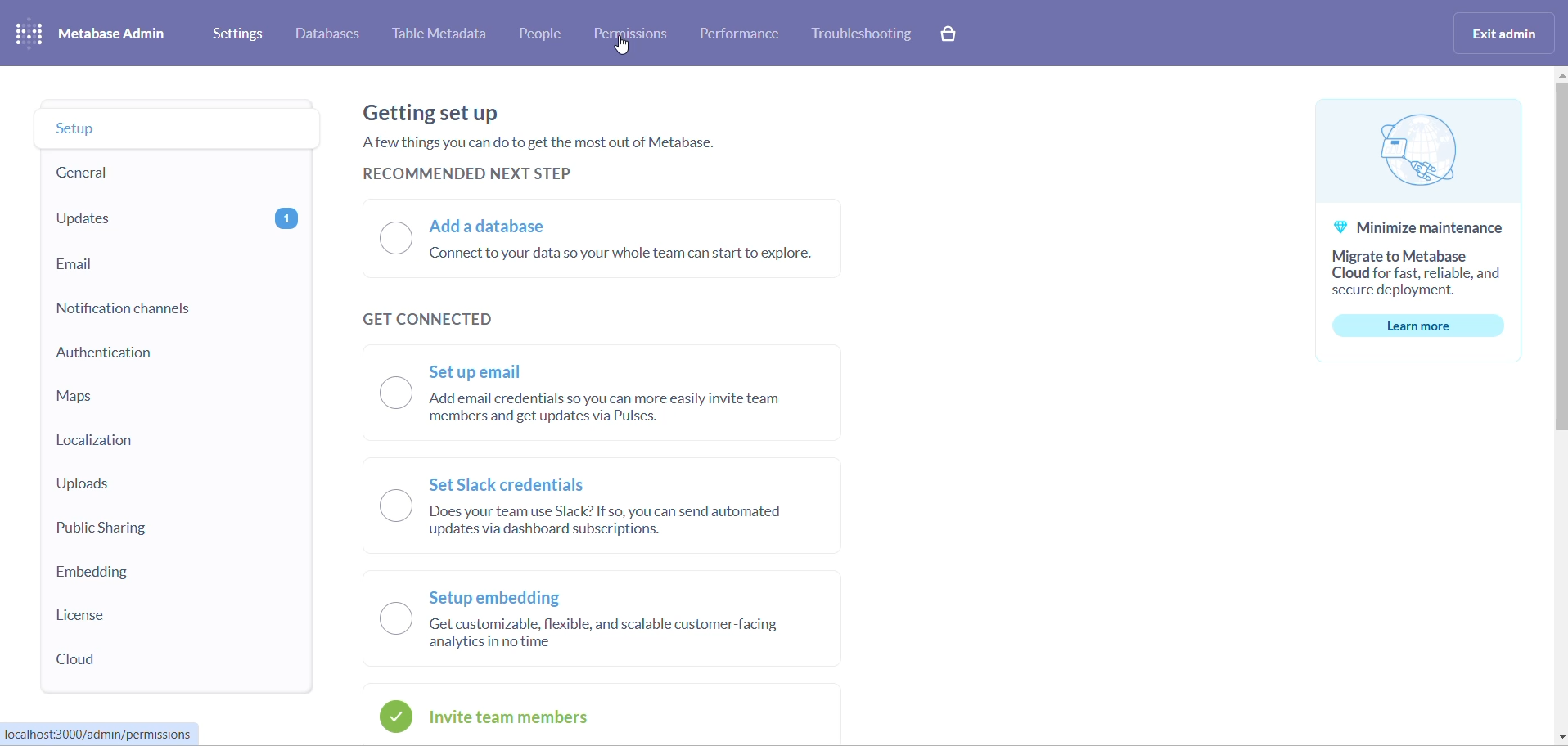 Image resolution: width=1568 pixels, height=746 pixels. Describe the element at coordinates (167, 175) in the screenshot. I see `general` at that location.